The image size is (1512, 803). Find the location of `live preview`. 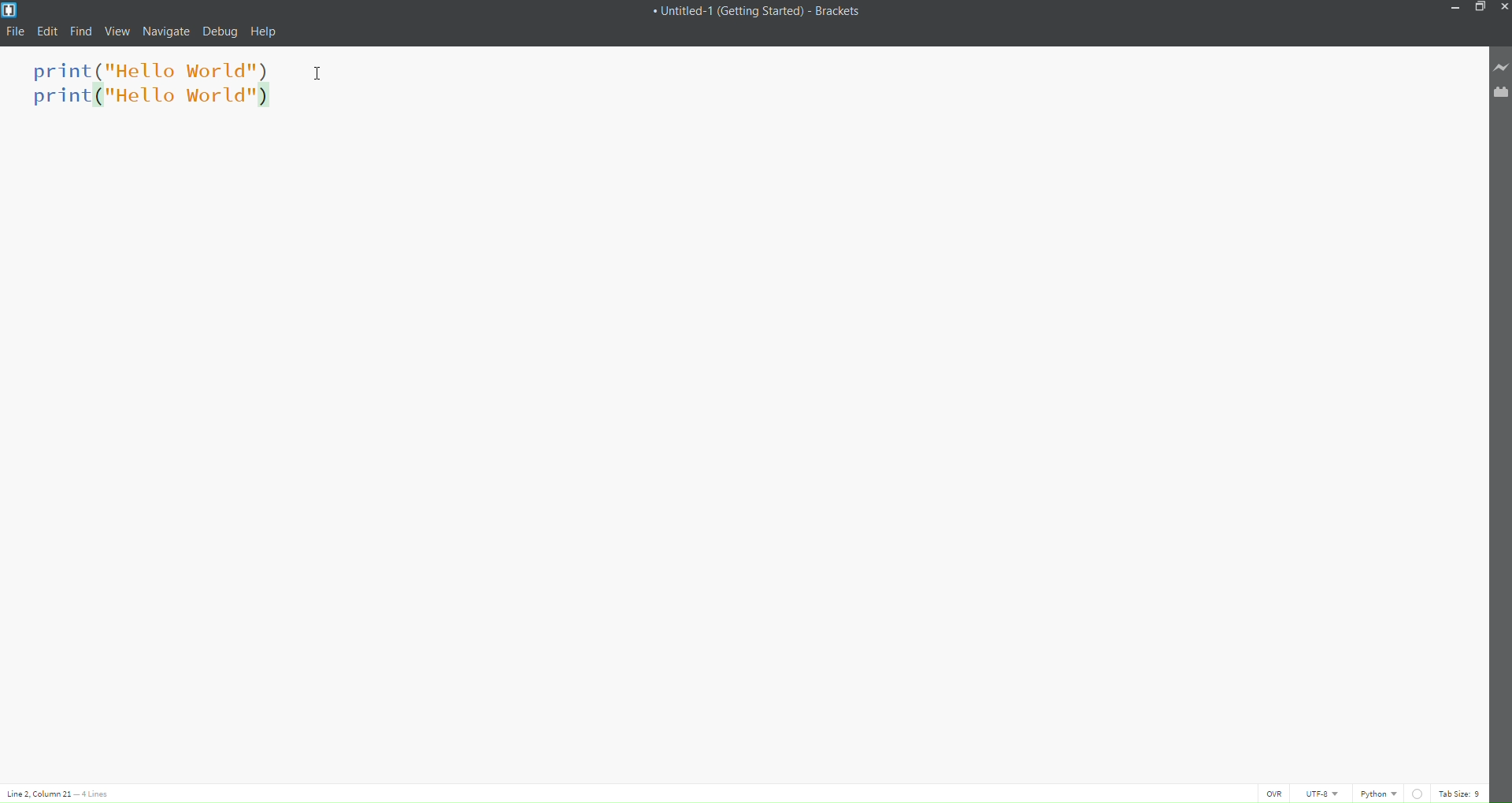

live preview is located at coordinates (1498, 65).